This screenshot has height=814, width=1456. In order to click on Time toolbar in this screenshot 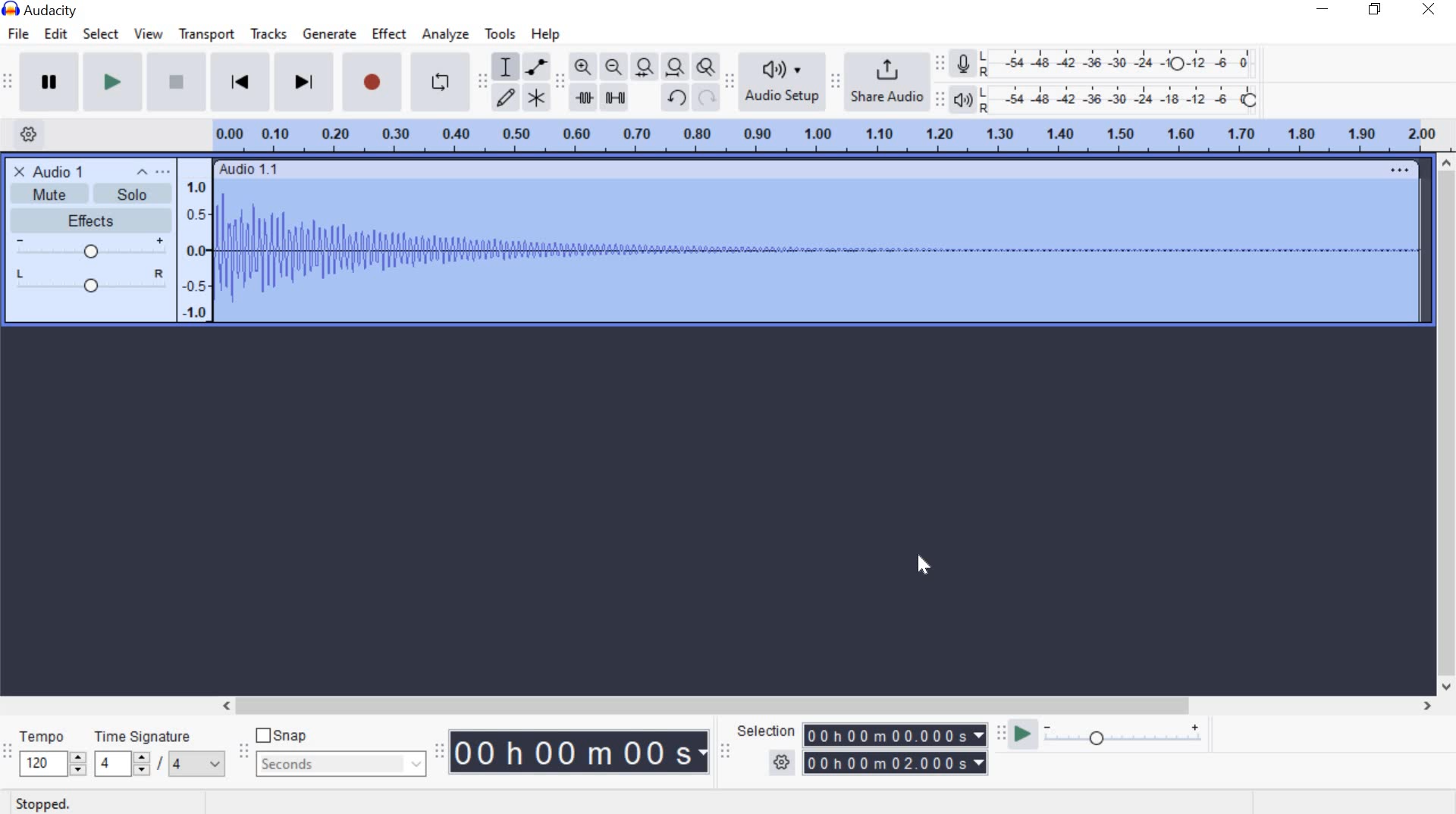, I will do `click(438, 753)`.